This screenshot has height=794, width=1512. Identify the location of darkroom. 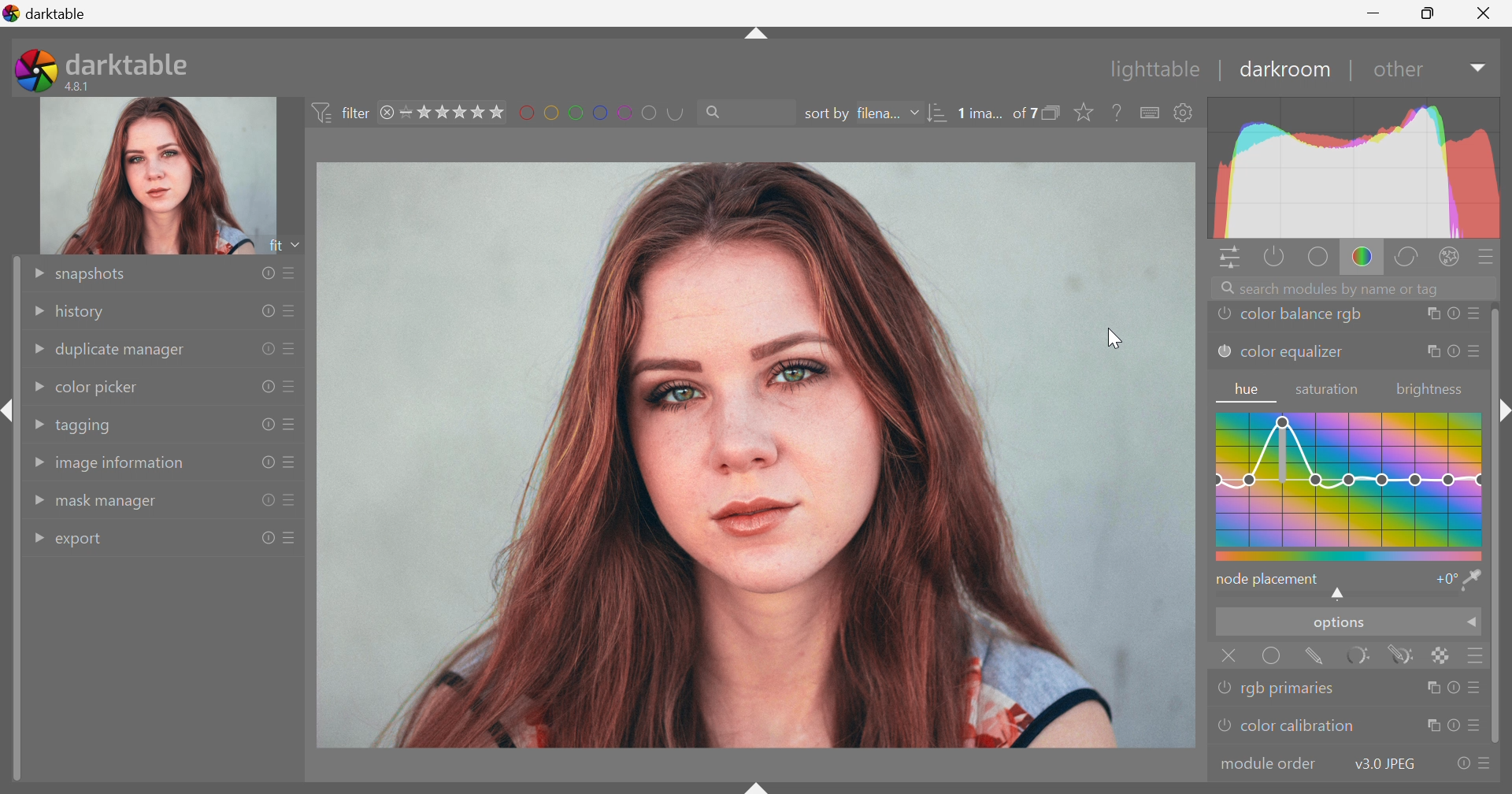
(1286, 69).